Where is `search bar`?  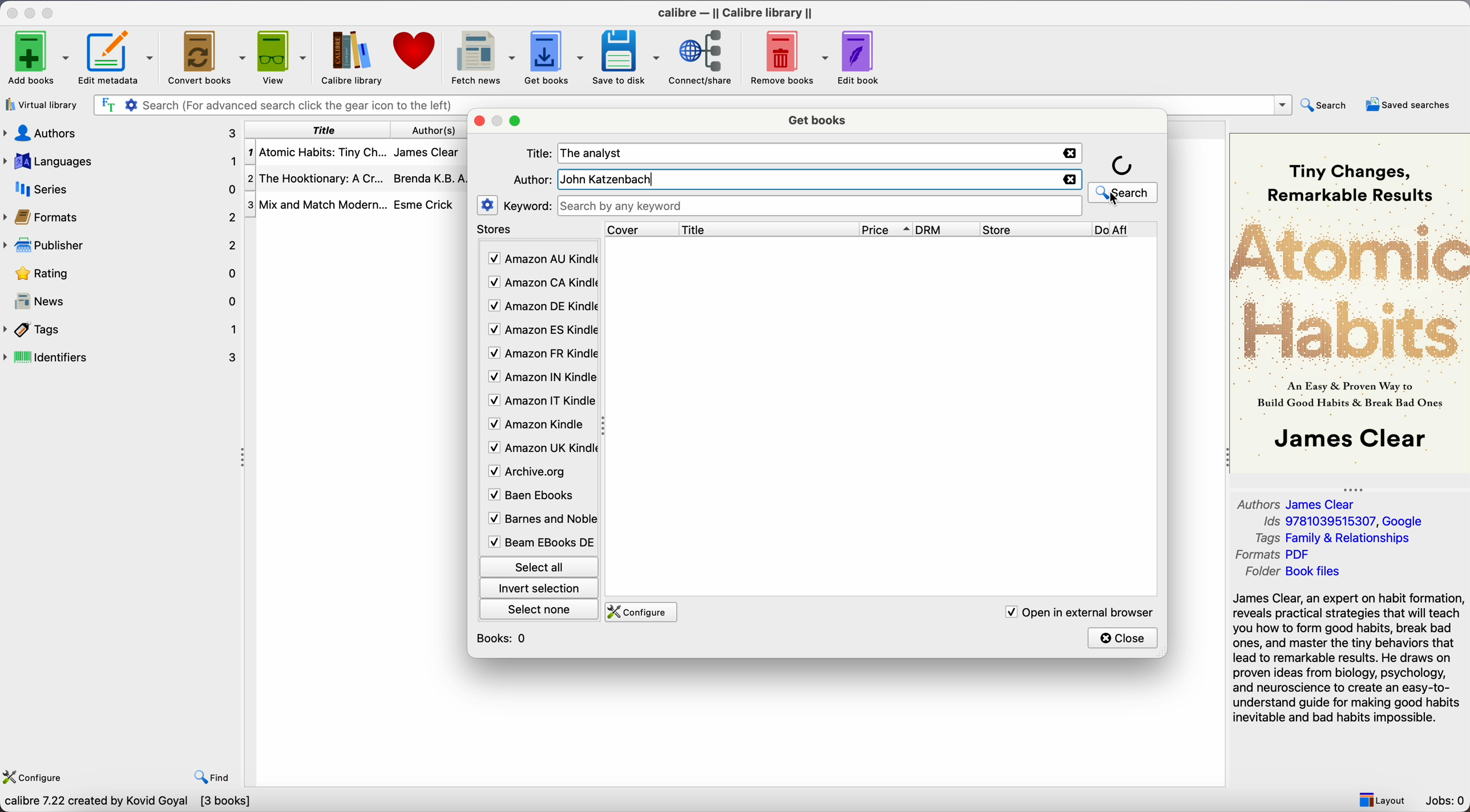 search bar is located at coordinates (821, 206).